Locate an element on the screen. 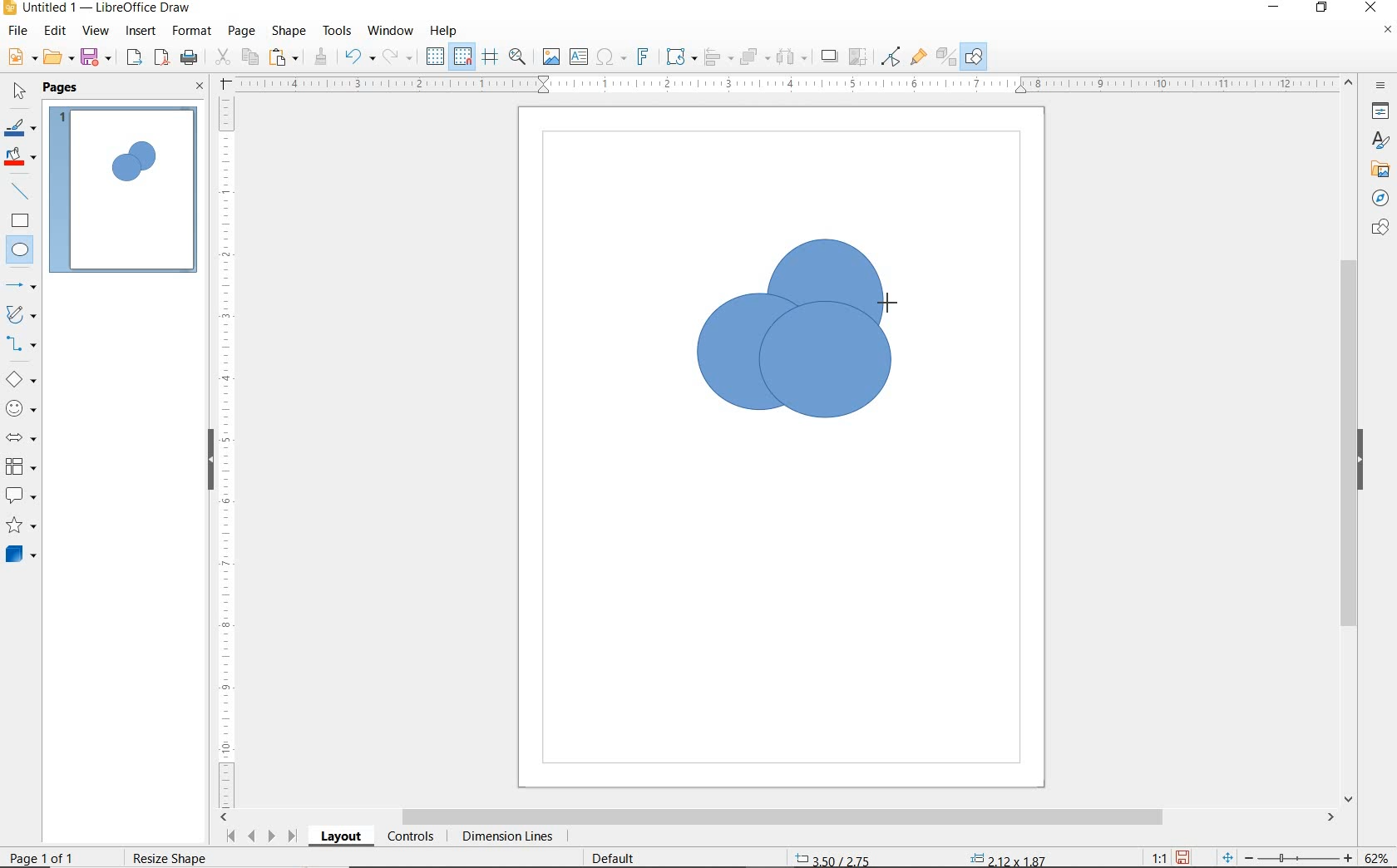 The image size is (1397, 868). HIDE is located at coordinates (208, 457).